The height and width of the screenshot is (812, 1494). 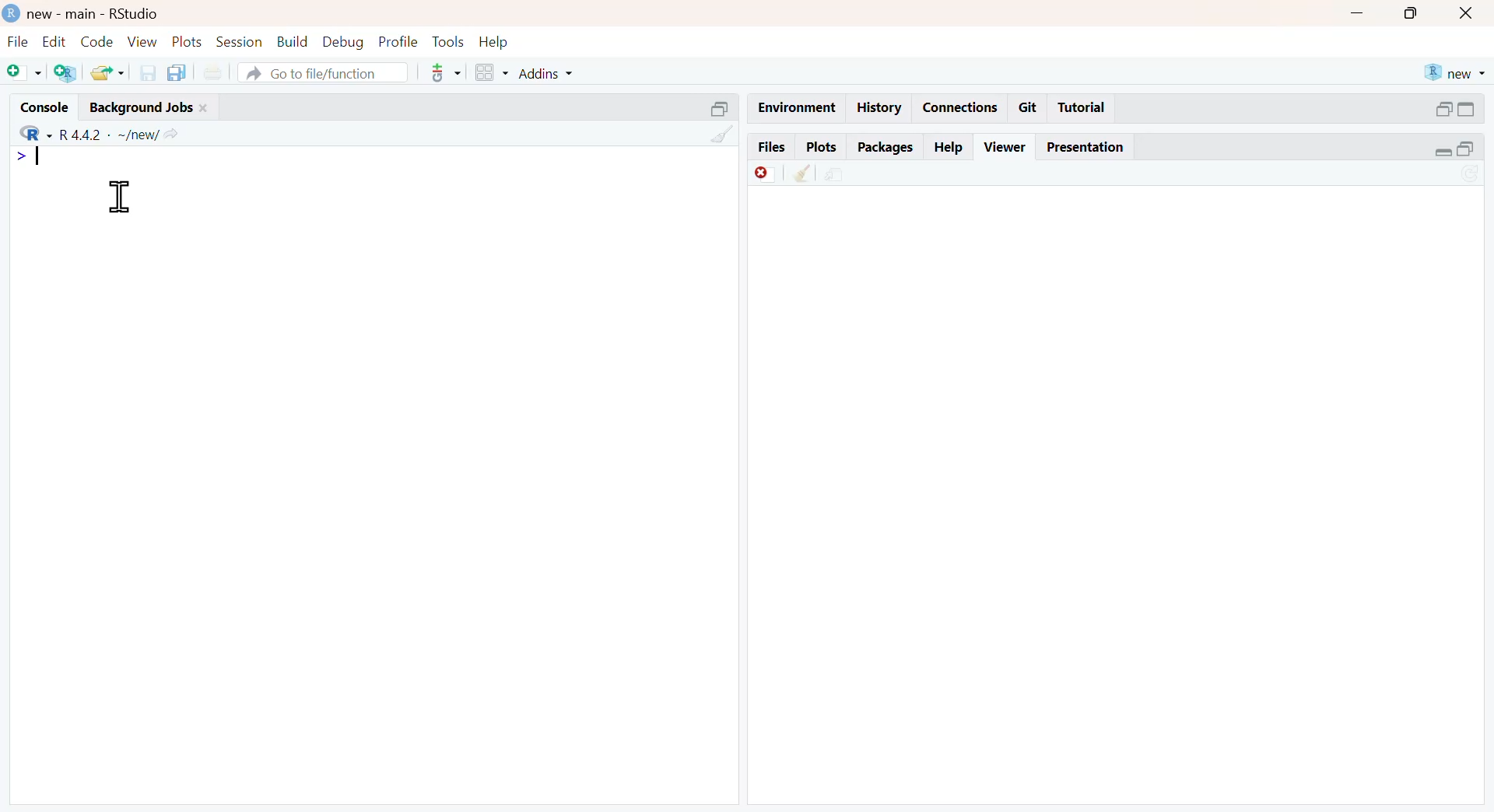 What do you see at coordinates (149, 73) in the screenshot?
I see `save` at bounding box center [149, 73].